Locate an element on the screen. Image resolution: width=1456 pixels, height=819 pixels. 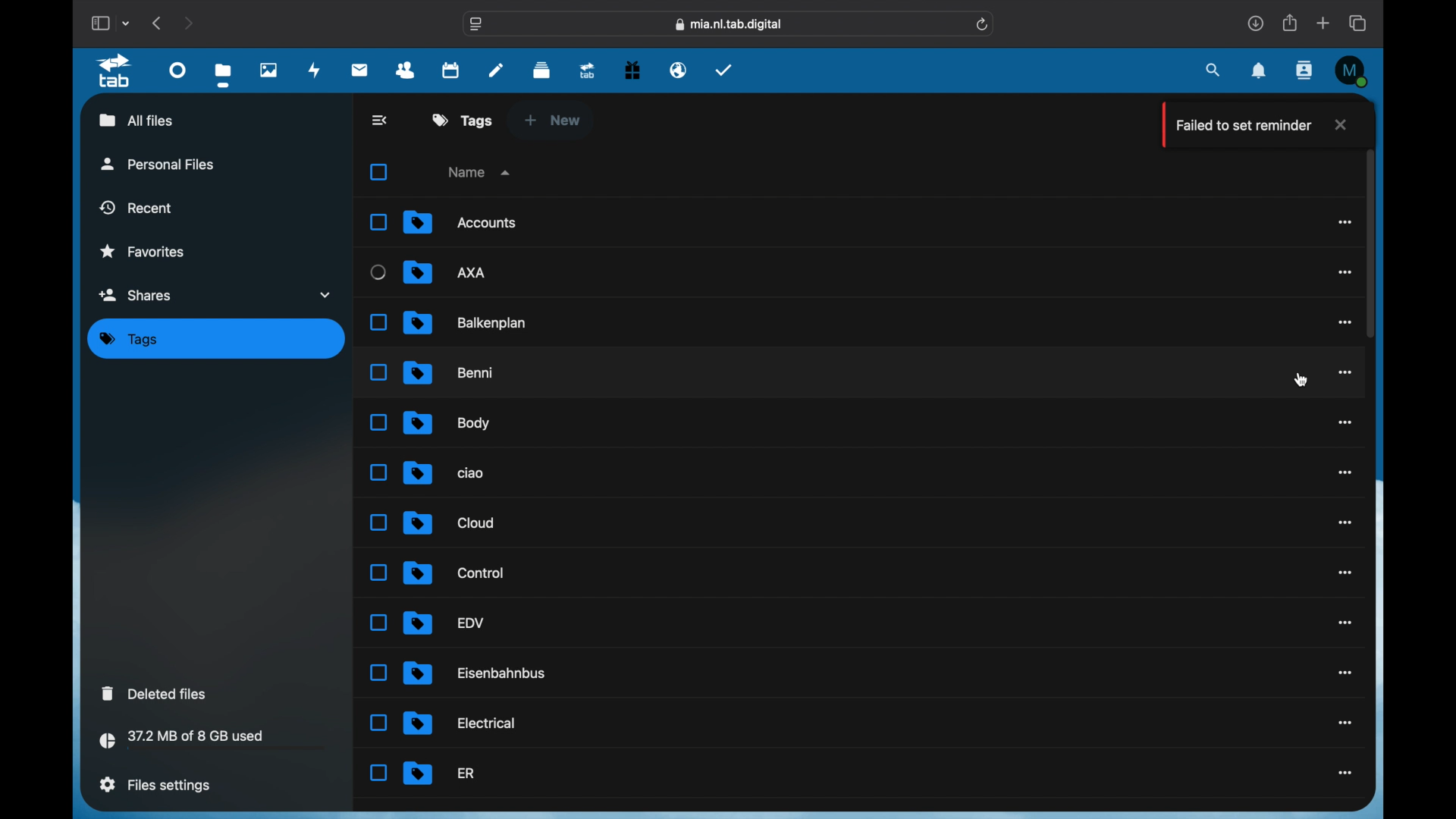
moreoptions is located at coordinates (1346, 422).